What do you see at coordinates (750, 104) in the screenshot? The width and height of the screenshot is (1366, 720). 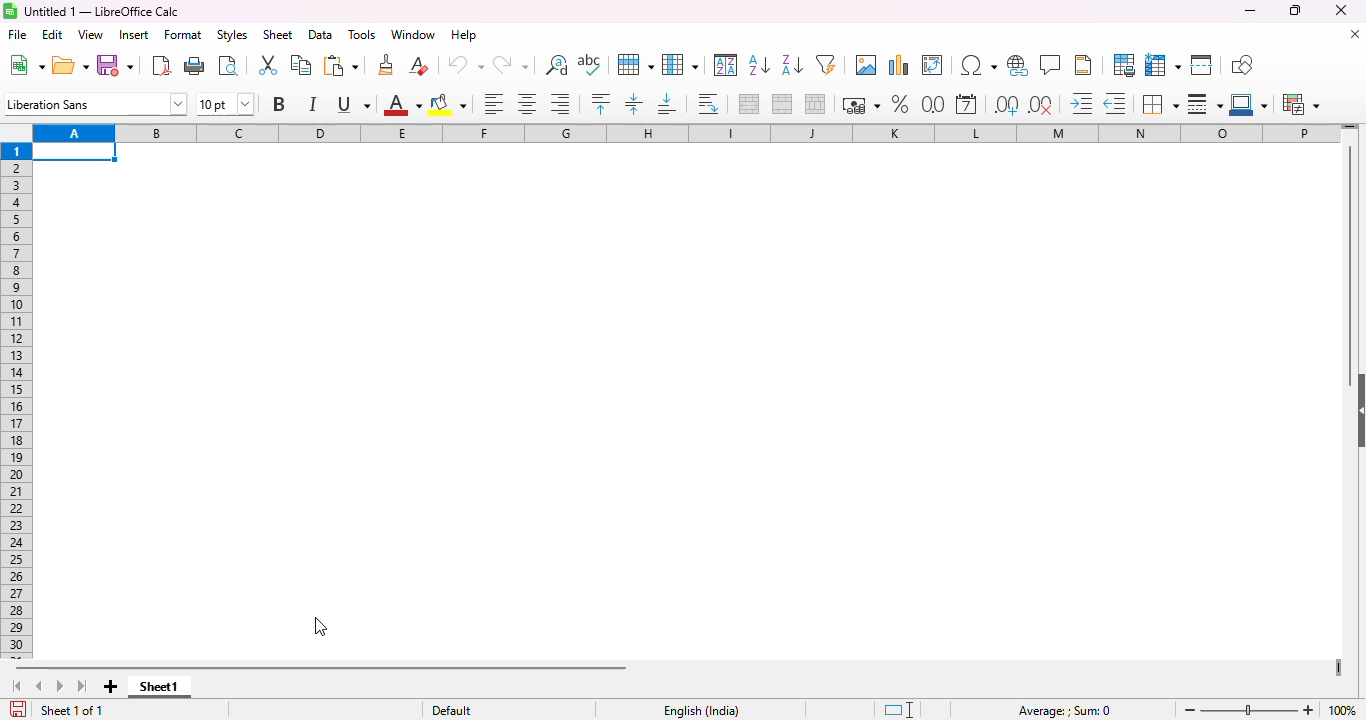 I see `merge and center or unmerge cells depending on the current toggle state` at bounding box center [750, 104].